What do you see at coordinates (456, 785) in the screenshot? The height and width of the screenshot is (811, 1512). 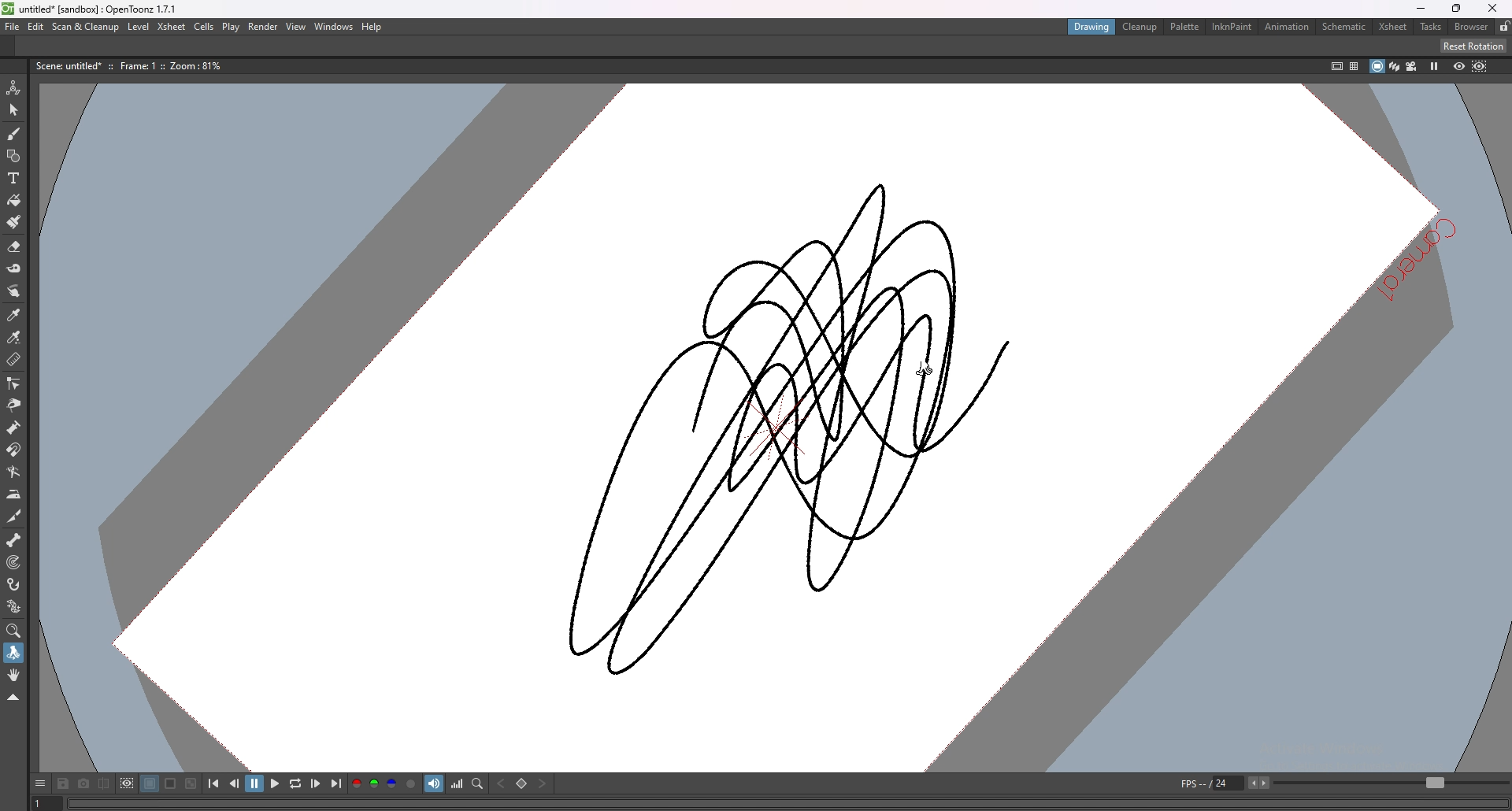 I see `histogram` at bounding box center [456, 785].